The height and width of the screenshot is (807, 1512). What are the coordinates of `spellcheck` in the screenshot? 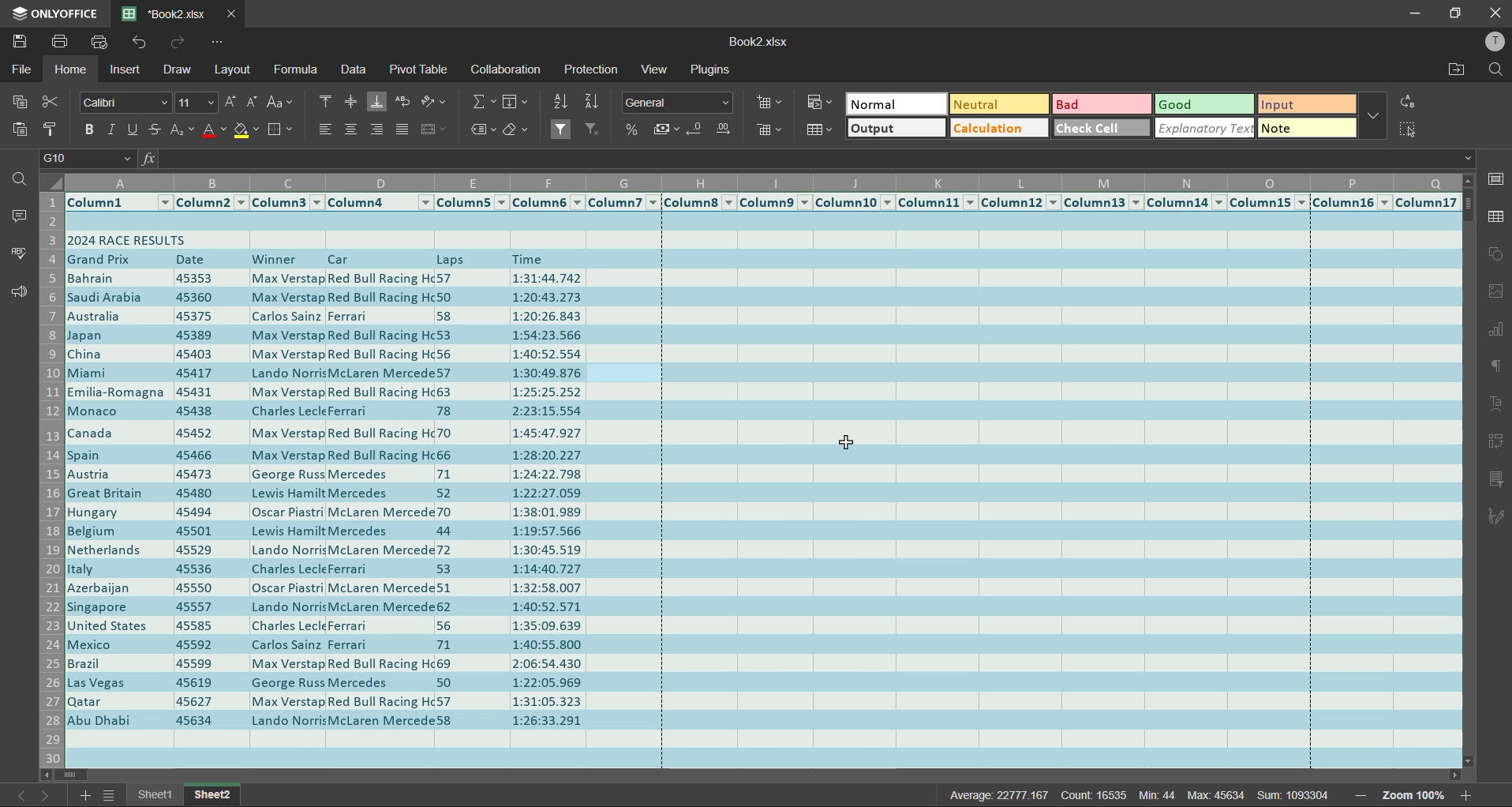 It's located at (14, 253).